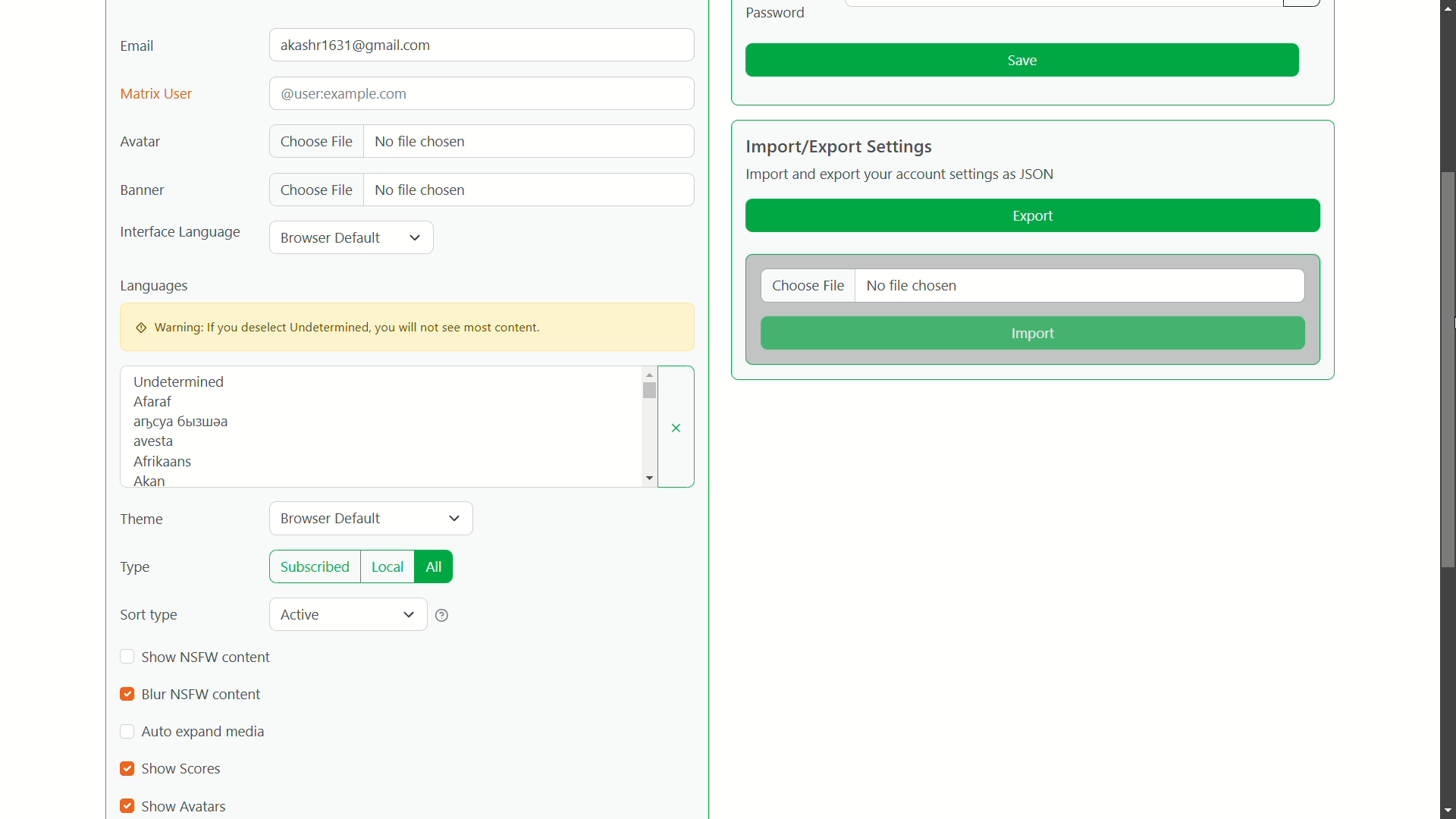 The image size is (1456, 819). Describe the element at coordinates (152, 402) in the screenshot. I see `afaraf` at that location.